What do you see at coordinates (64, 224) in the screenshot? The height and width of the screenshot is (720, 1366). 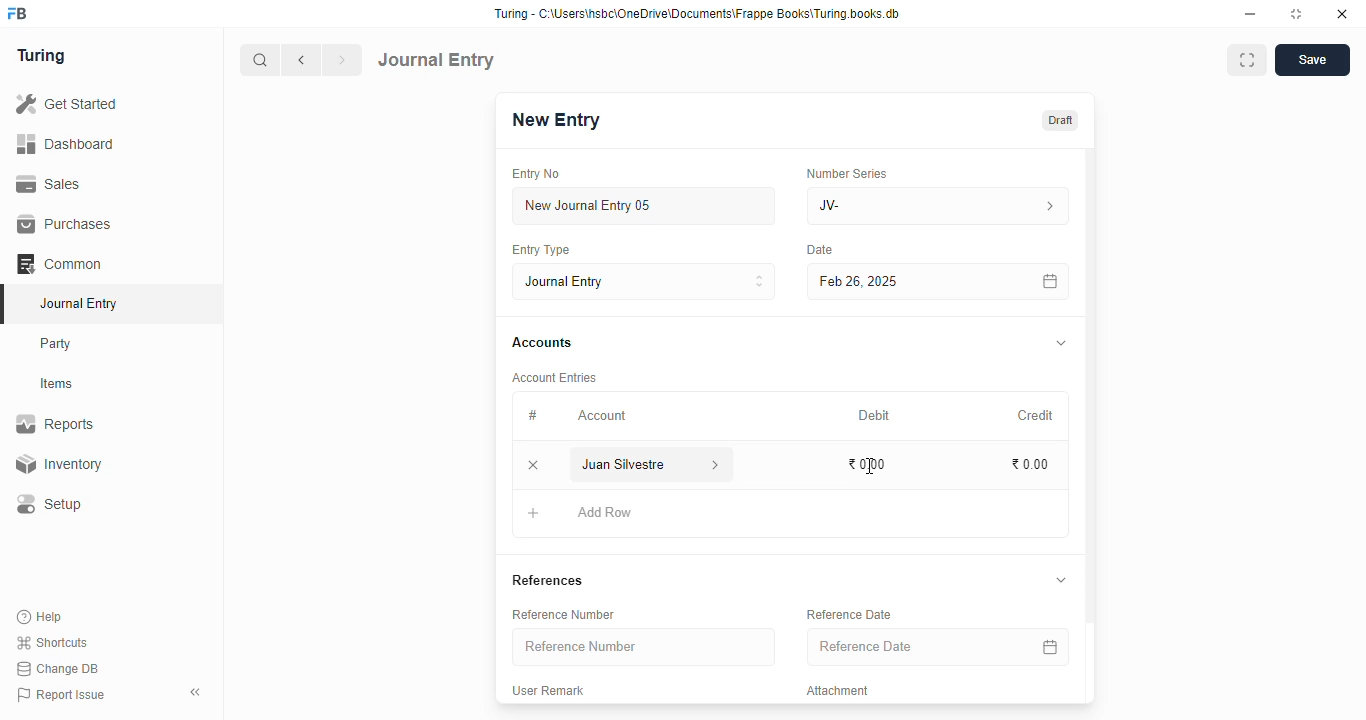 I see `purchases` at bounding box center [64, 224].